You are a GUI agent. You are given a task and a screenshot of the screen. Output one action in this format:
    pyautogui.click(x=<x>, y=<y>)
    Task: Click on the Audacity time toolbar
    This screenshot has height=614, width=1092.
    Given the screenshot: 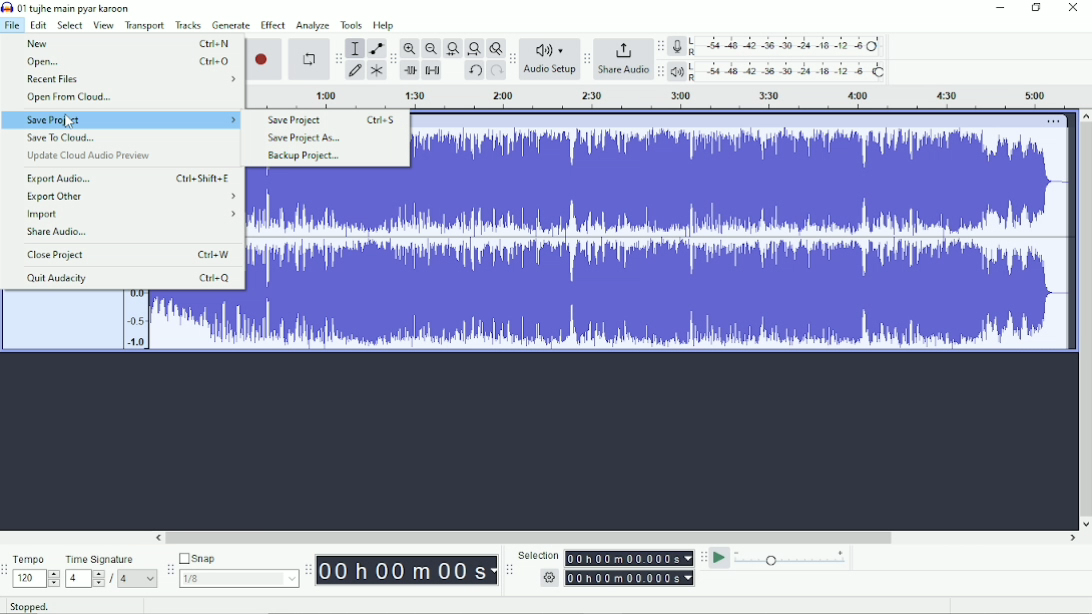 What is the action you would take?
    pyautogui.click(x=308, y=569)
    